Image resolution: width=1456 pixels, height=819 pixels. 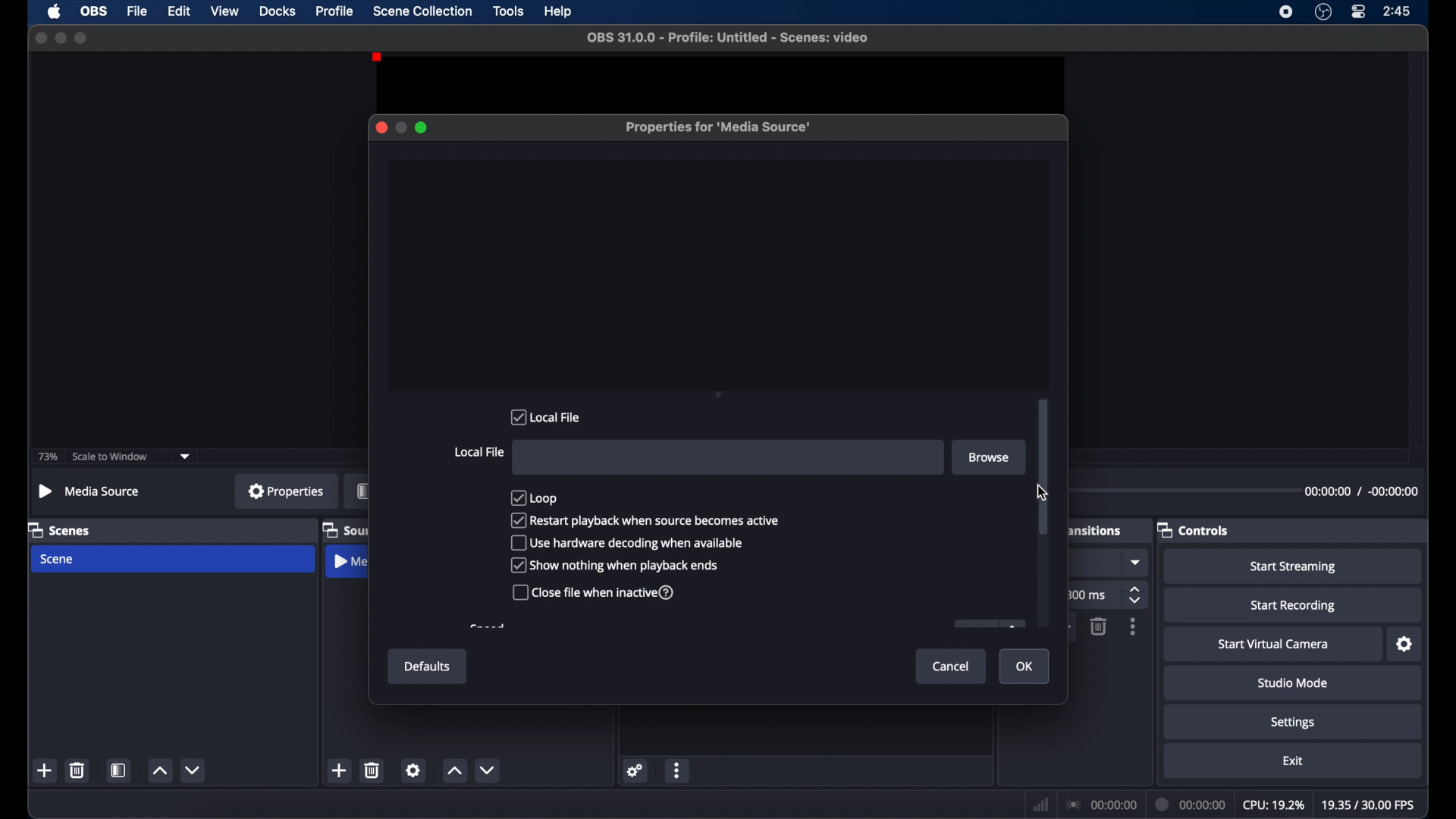 What do you see at coordinates (60, 529) in the screenshot?
I see `scenes` at bounding box center [60, 529].